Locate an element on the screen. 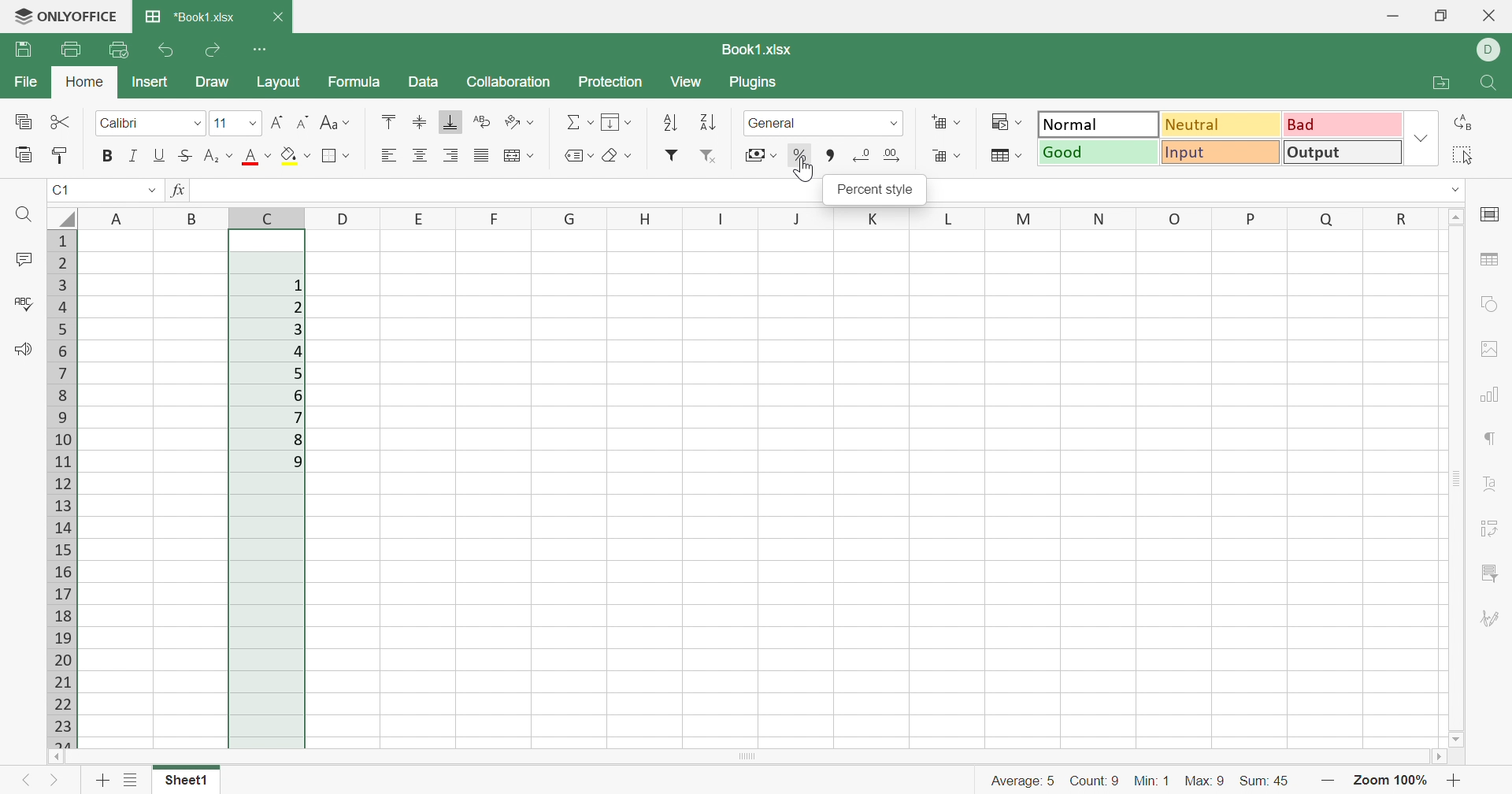  Conditional formatting is located at coordinates (1005, 123).